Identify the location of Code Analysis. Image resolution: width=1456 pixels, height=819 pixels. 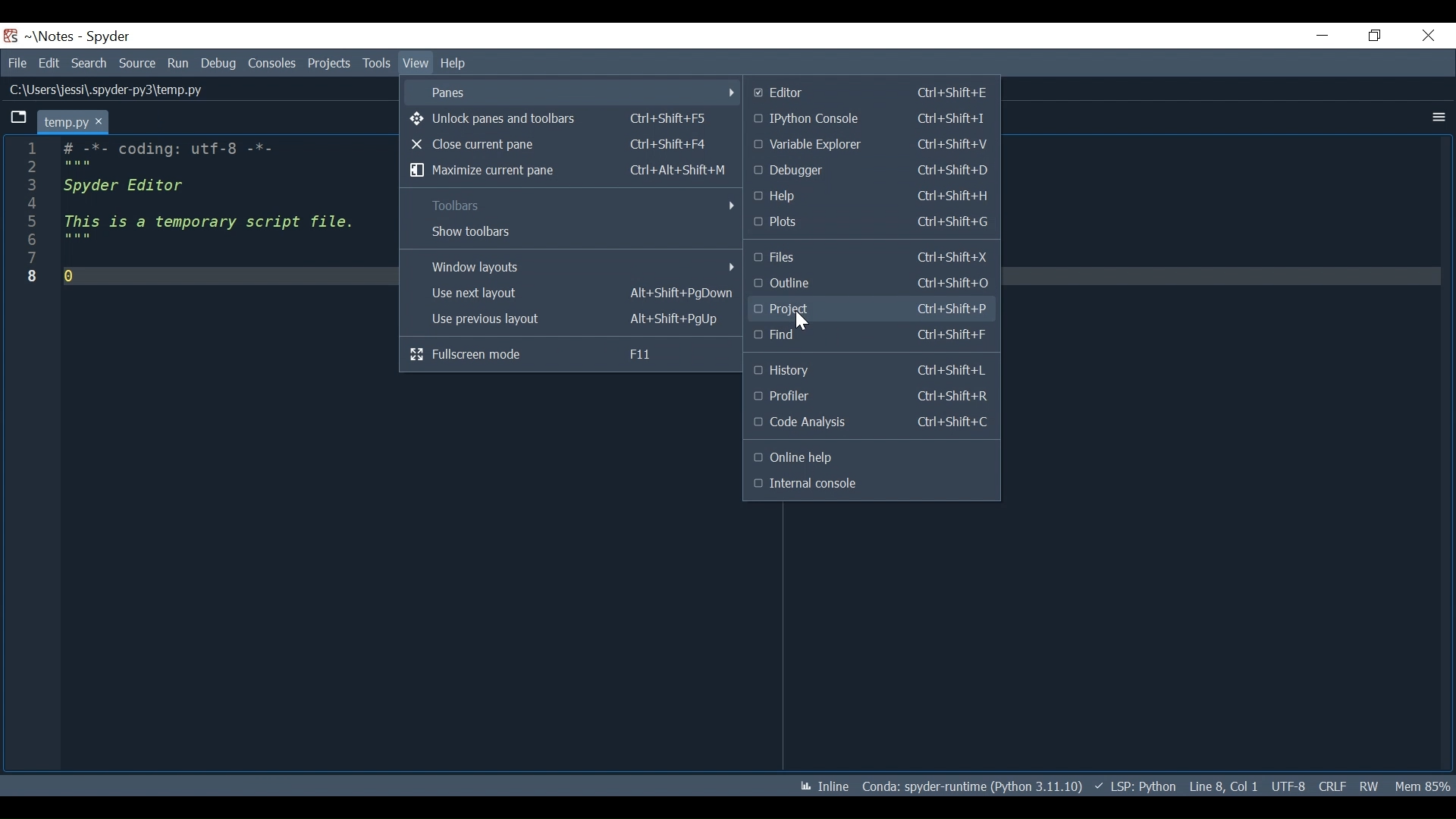
(871, 422).